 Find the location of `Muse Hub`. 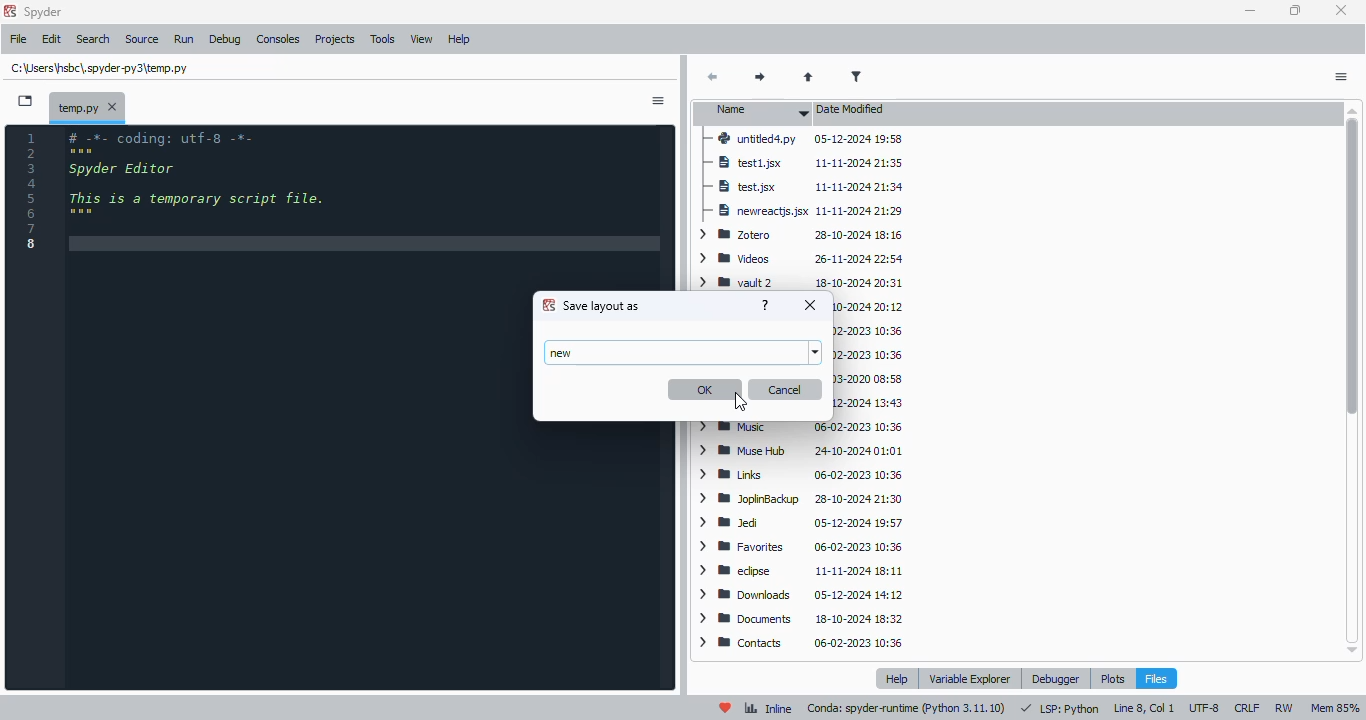

Muse Hub is located at coordinates (805, 451).